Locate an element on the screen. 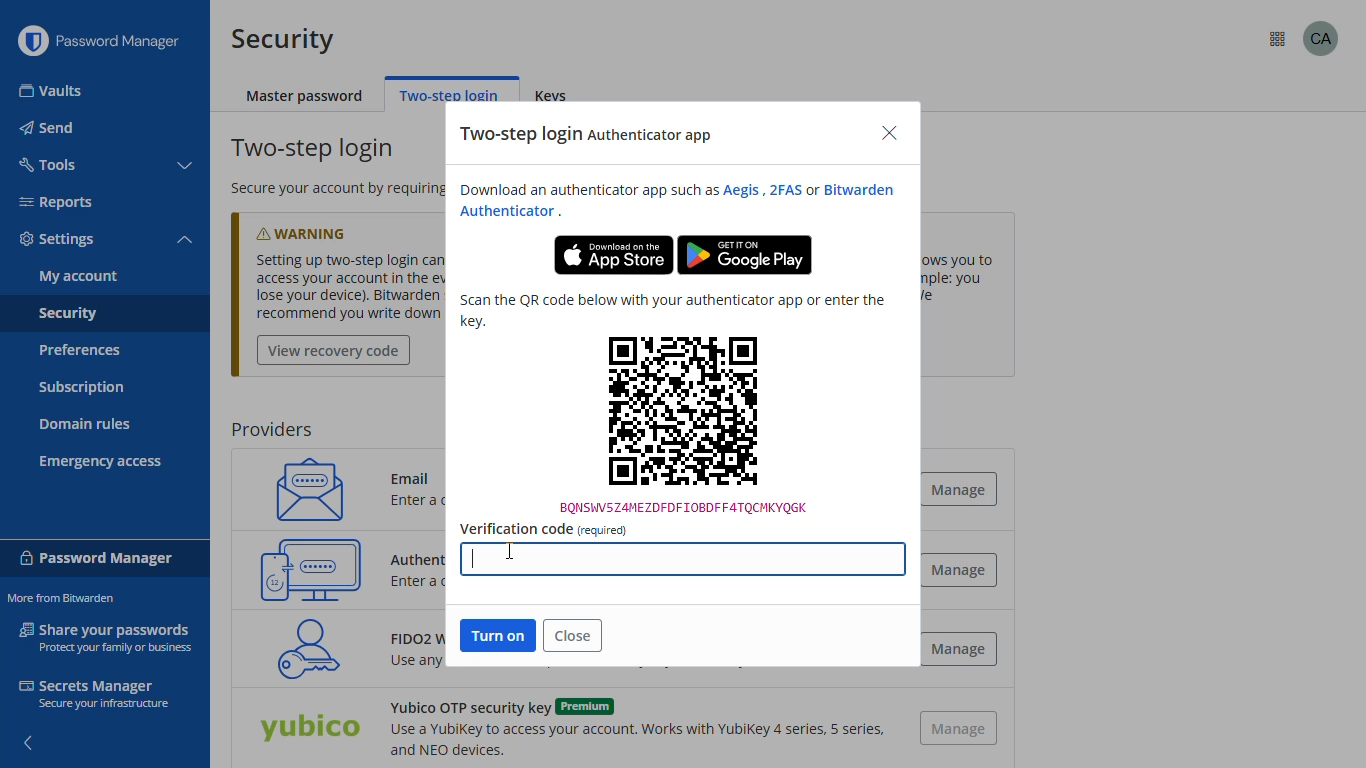  hide is located at coordinates (26, 737).